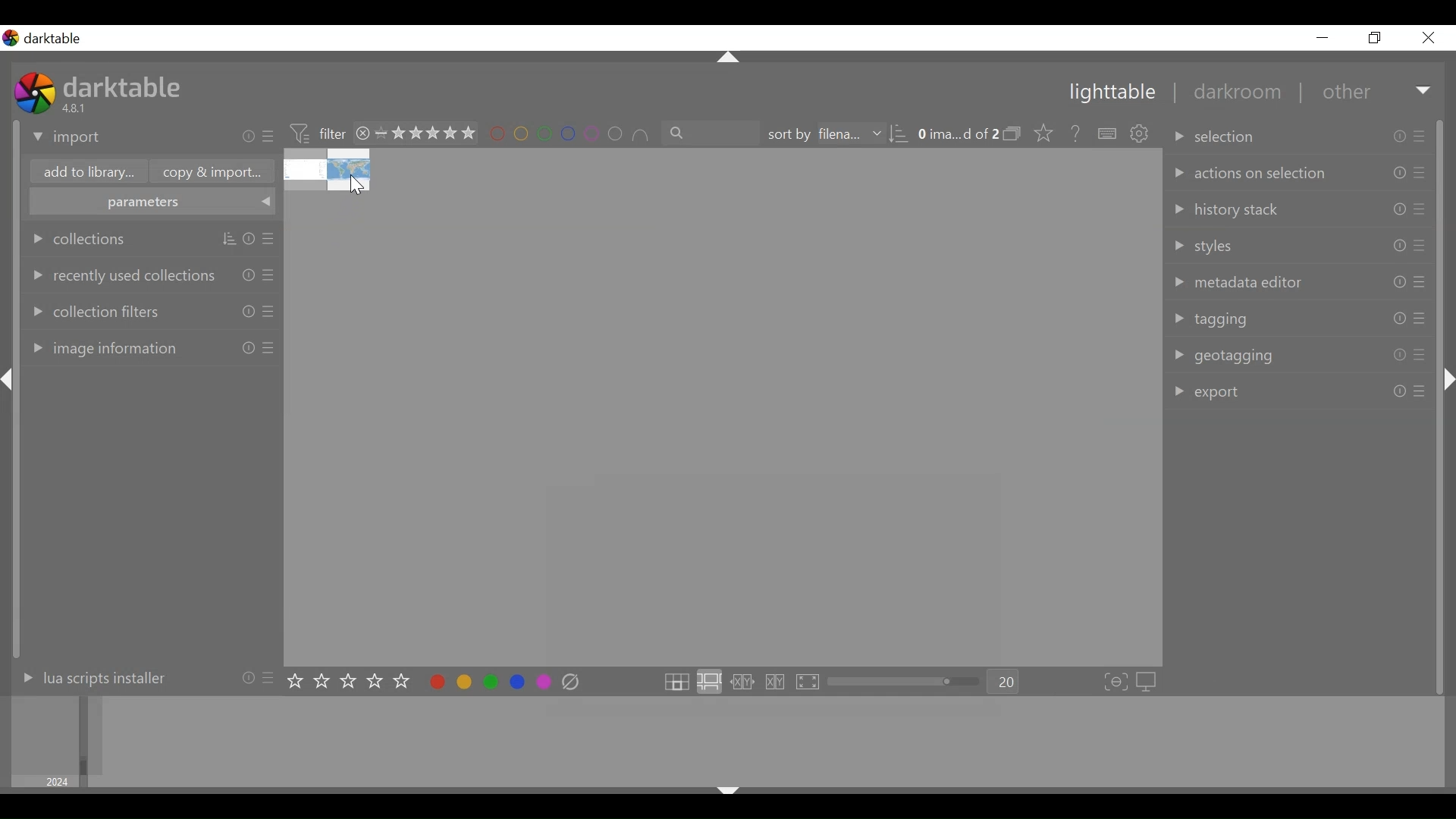 Image resolution: width=1456 pixels, height=819 pixels. Describe the element at coordinates (1259, 209) in the screenshot. I see `history stack` at that location.